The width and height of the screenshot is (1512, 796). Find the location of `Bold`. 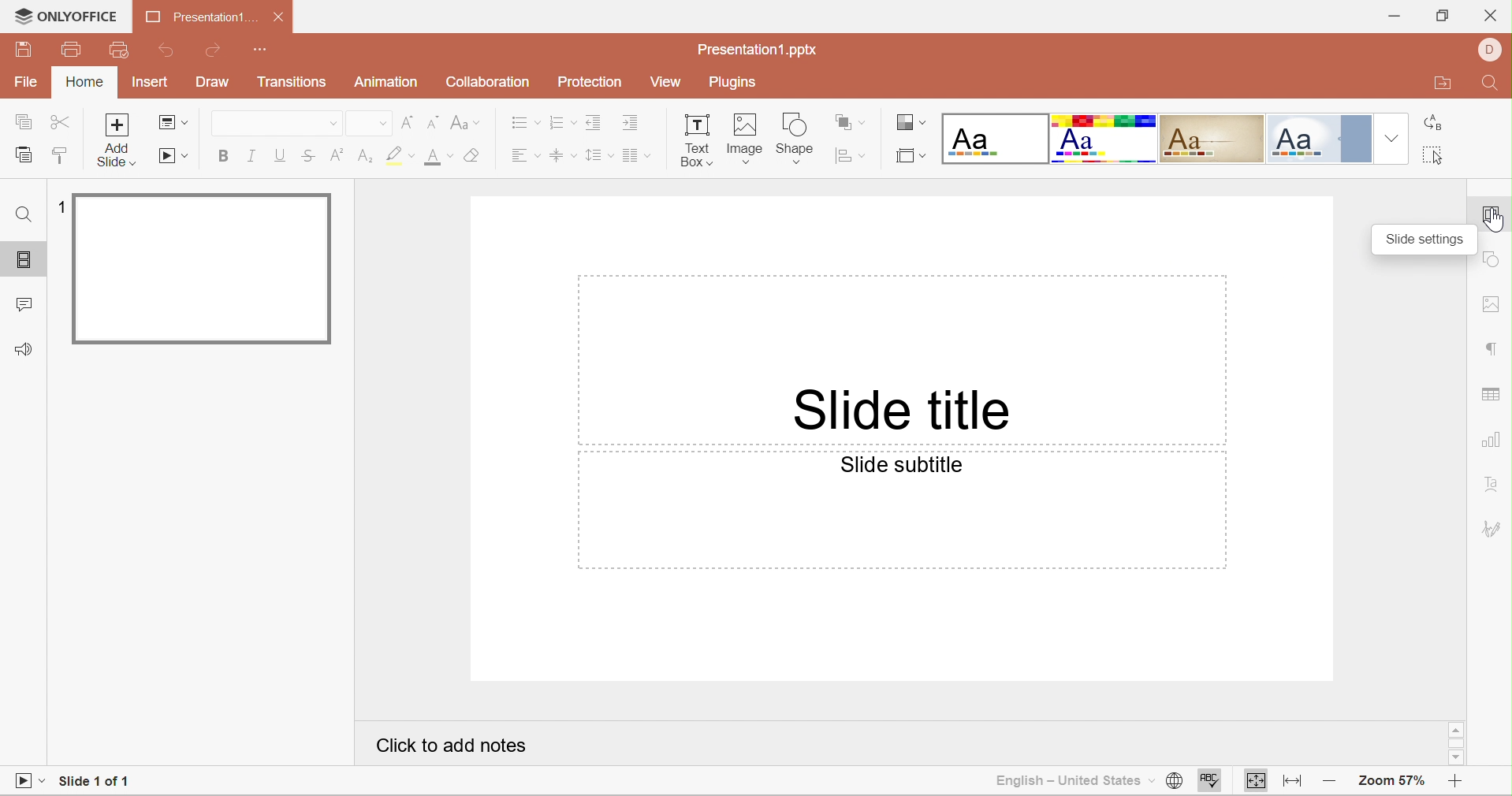

Bold is located at coordinates (226, 154).